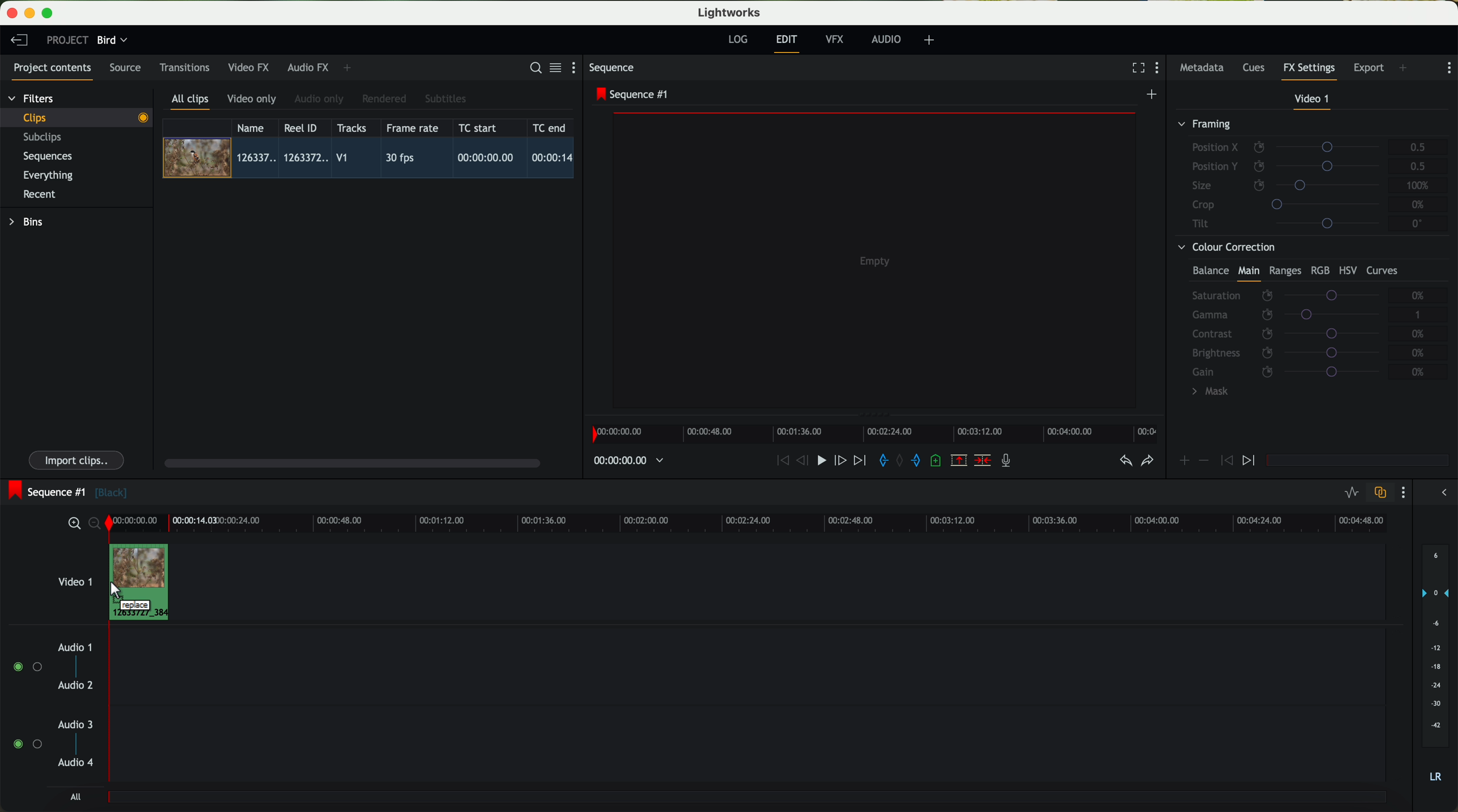  I want to click on black, so click(113, 493).